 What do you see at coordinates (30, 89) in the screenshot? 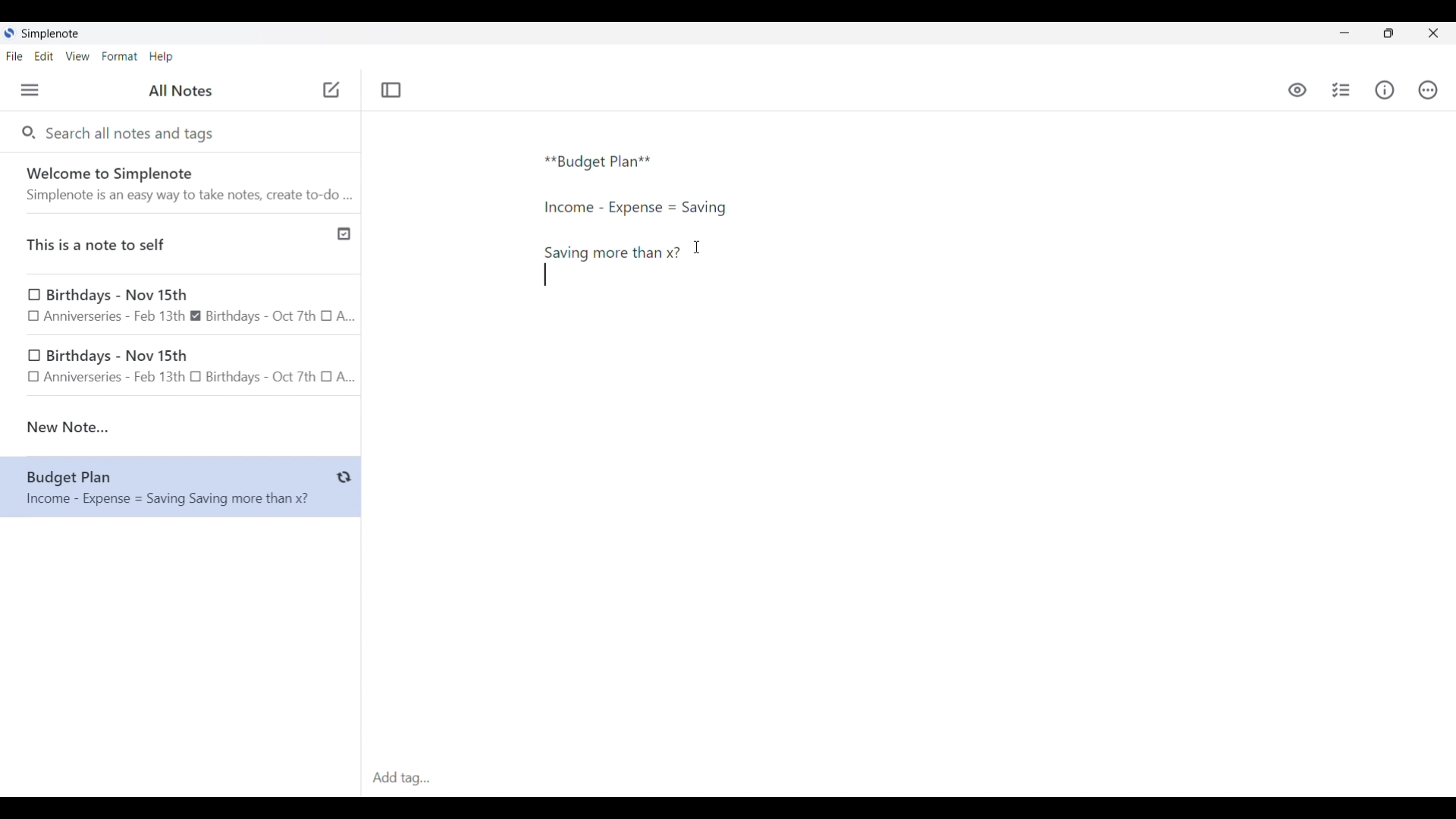
I see `Menu` at bounding box center [30, 89].